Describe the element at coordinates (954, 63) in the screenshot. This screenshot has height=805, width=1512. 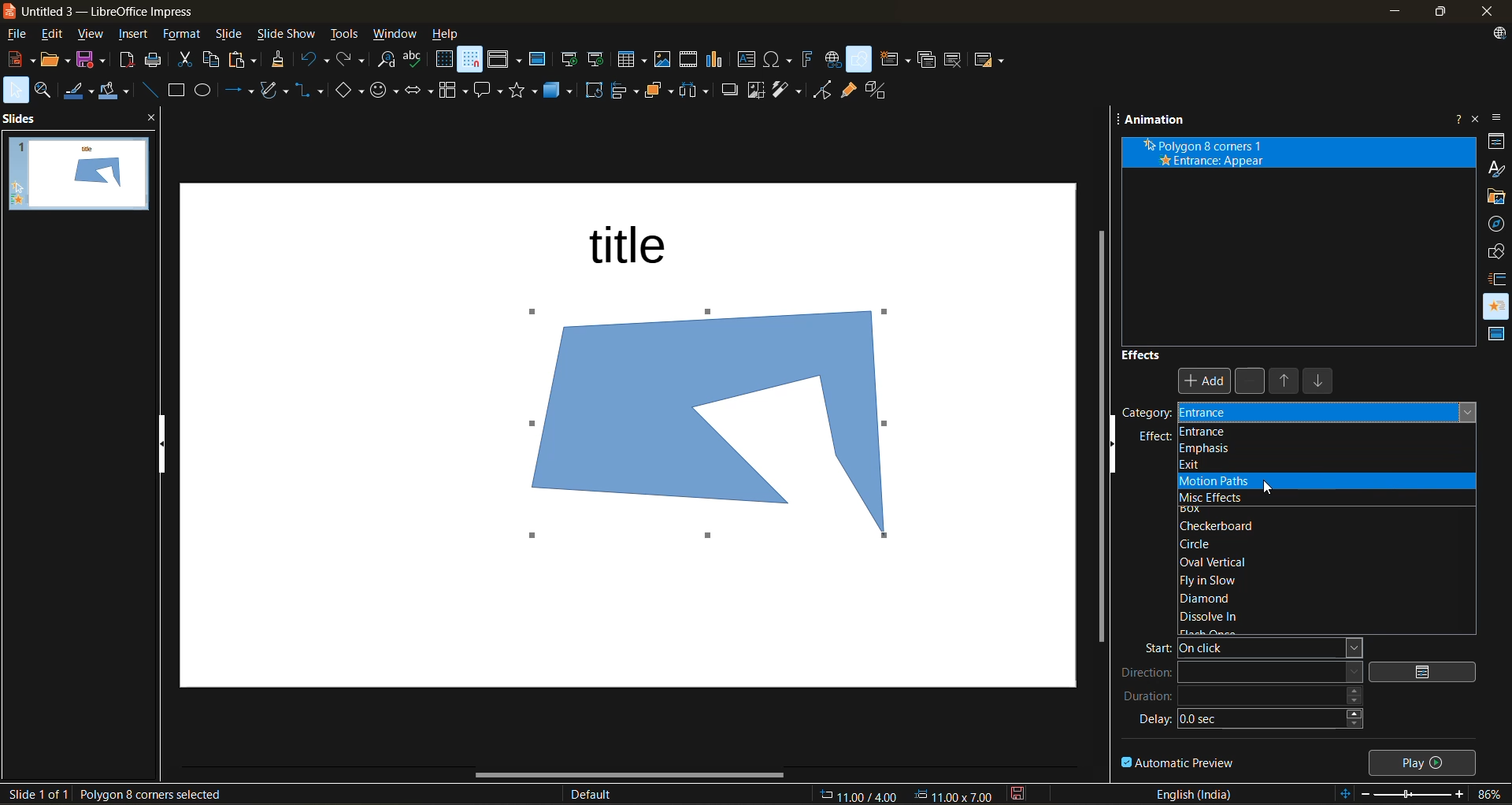
I see `delete slide` at that location.